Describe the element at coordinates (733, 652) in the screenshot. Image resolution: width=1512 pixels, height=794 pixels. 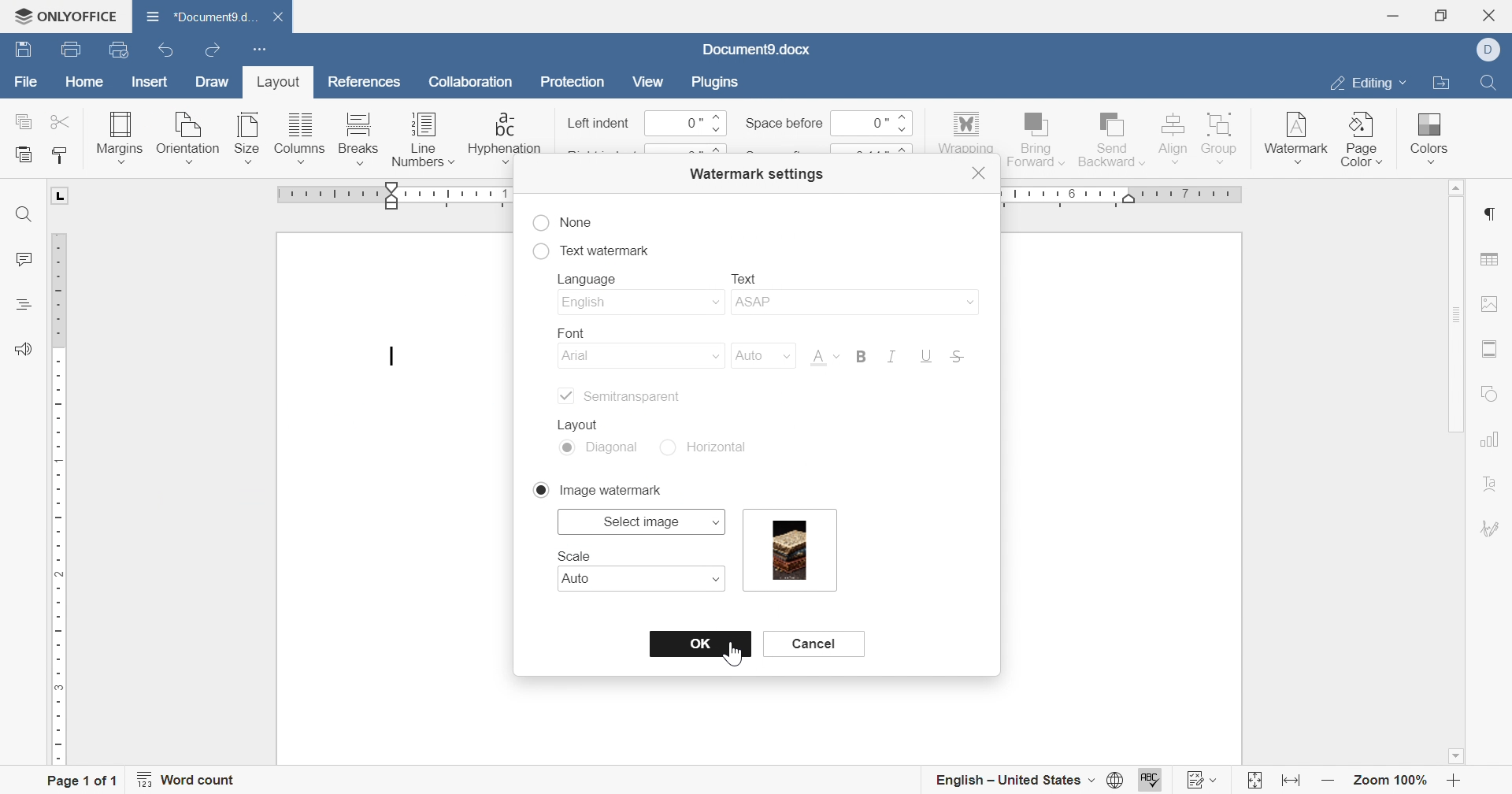
I see `cursor` at that location.